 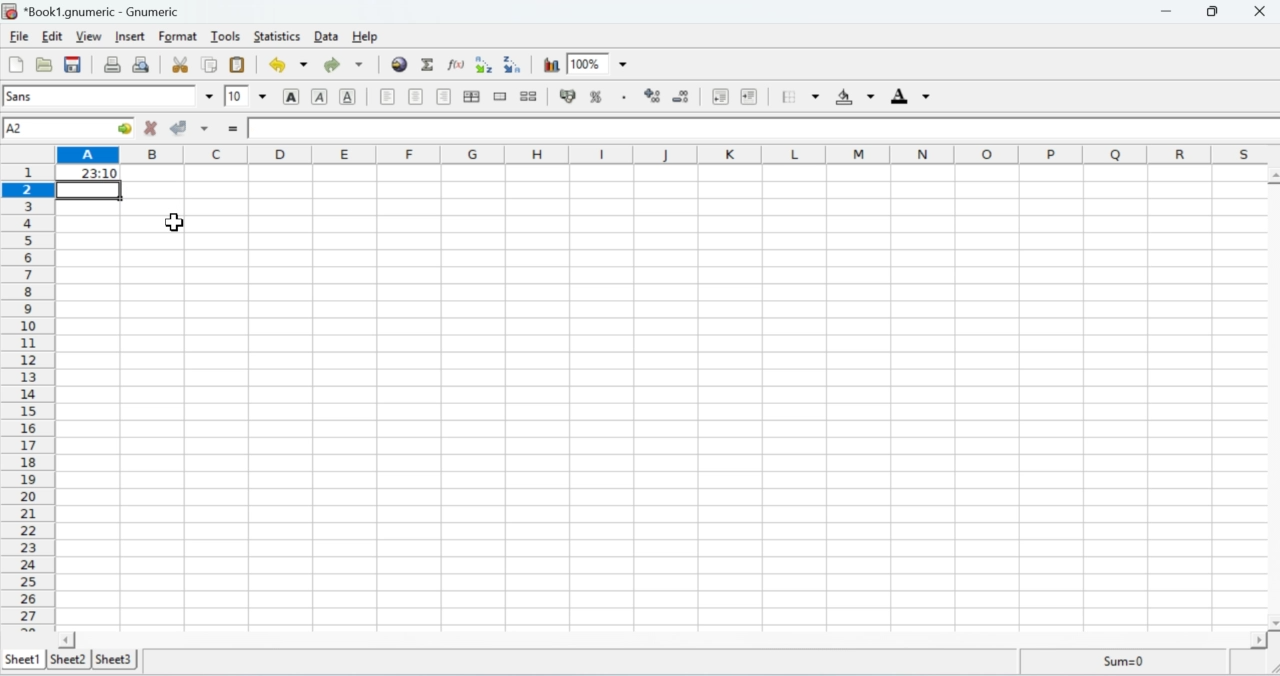 What do you see at coordinates (365, 36) in the screenshot?
I see `Help` at bounding box center [365, 36].